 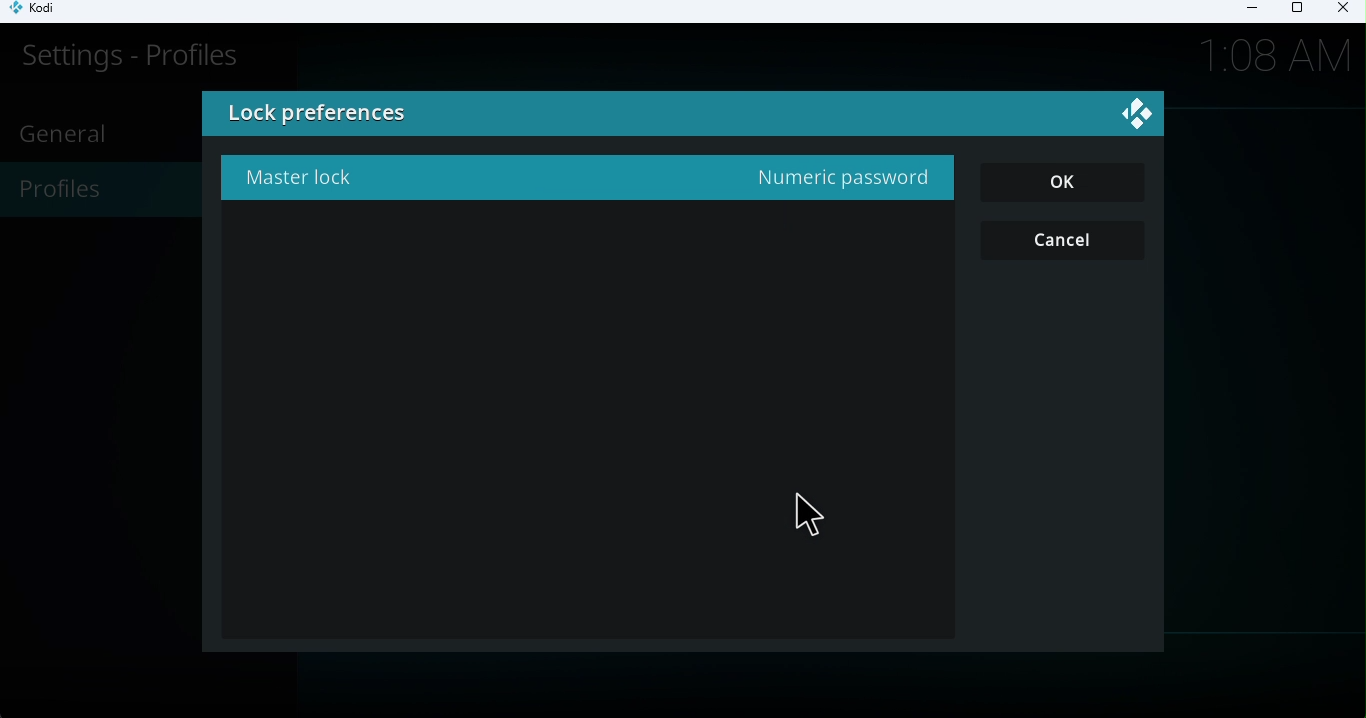 I want to click on Master lock, so click(x=578, y=180).